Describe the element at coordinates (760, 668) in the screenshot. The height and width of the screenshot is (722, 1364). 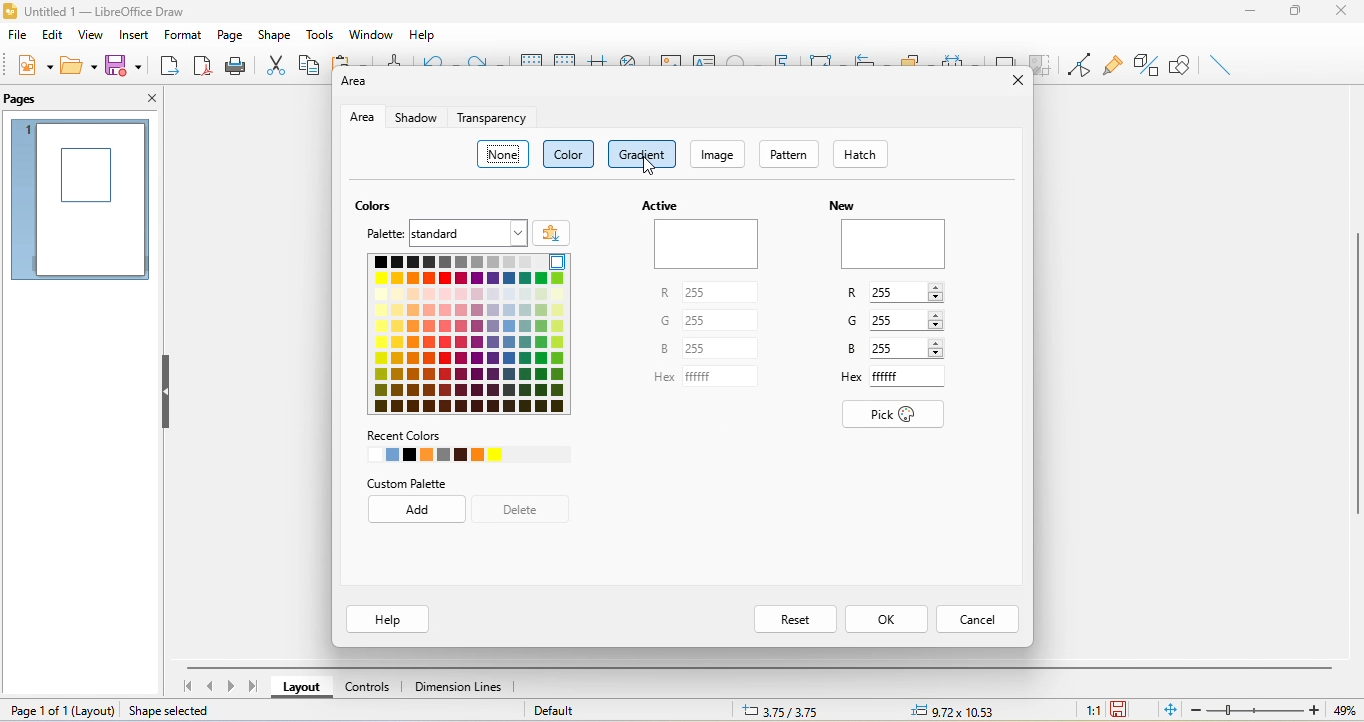
I see `horizontal scroll bar` at that location.